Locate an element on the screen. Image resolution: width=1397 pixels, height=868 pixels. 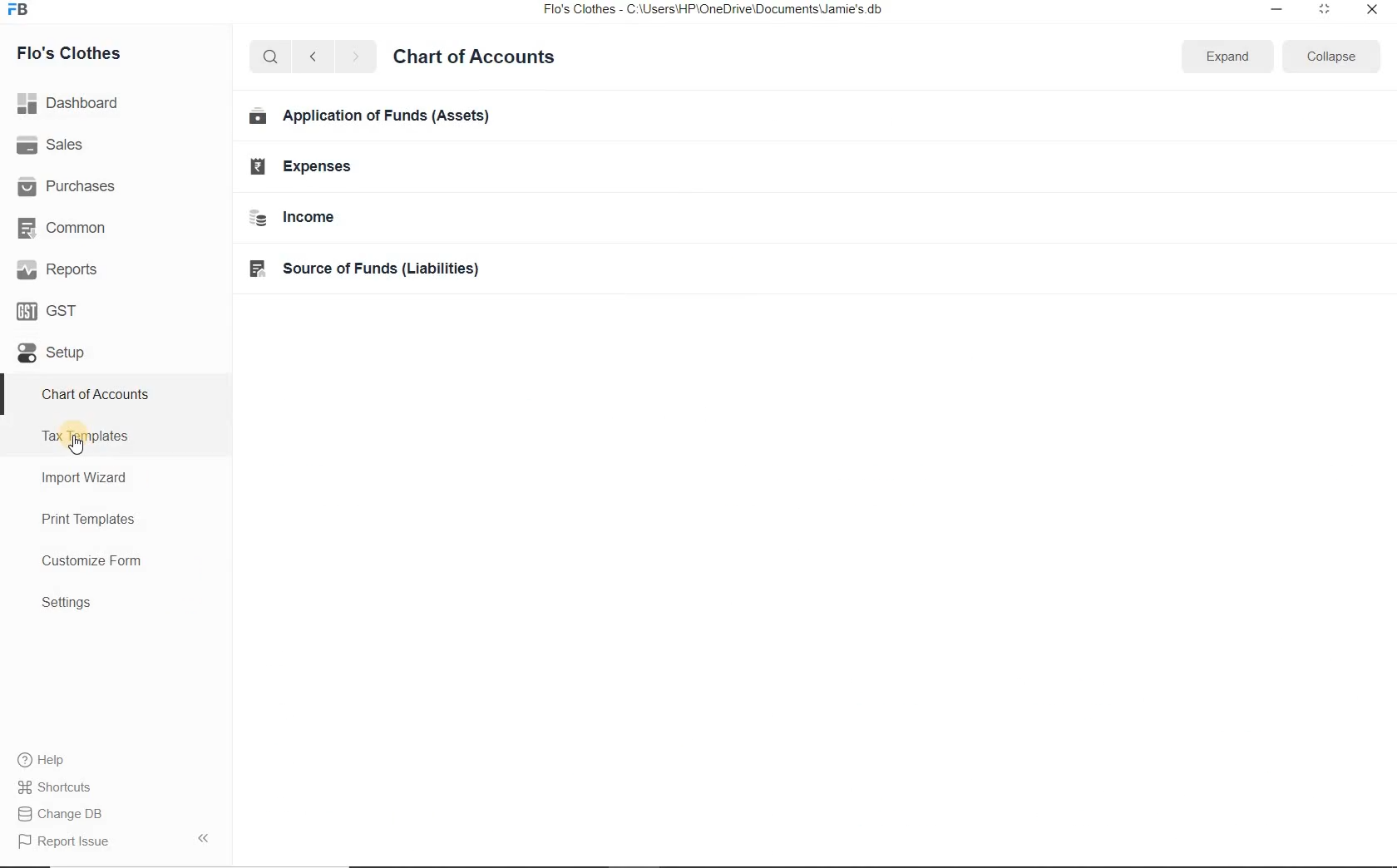
Forward is located at coordinates (357, 57).